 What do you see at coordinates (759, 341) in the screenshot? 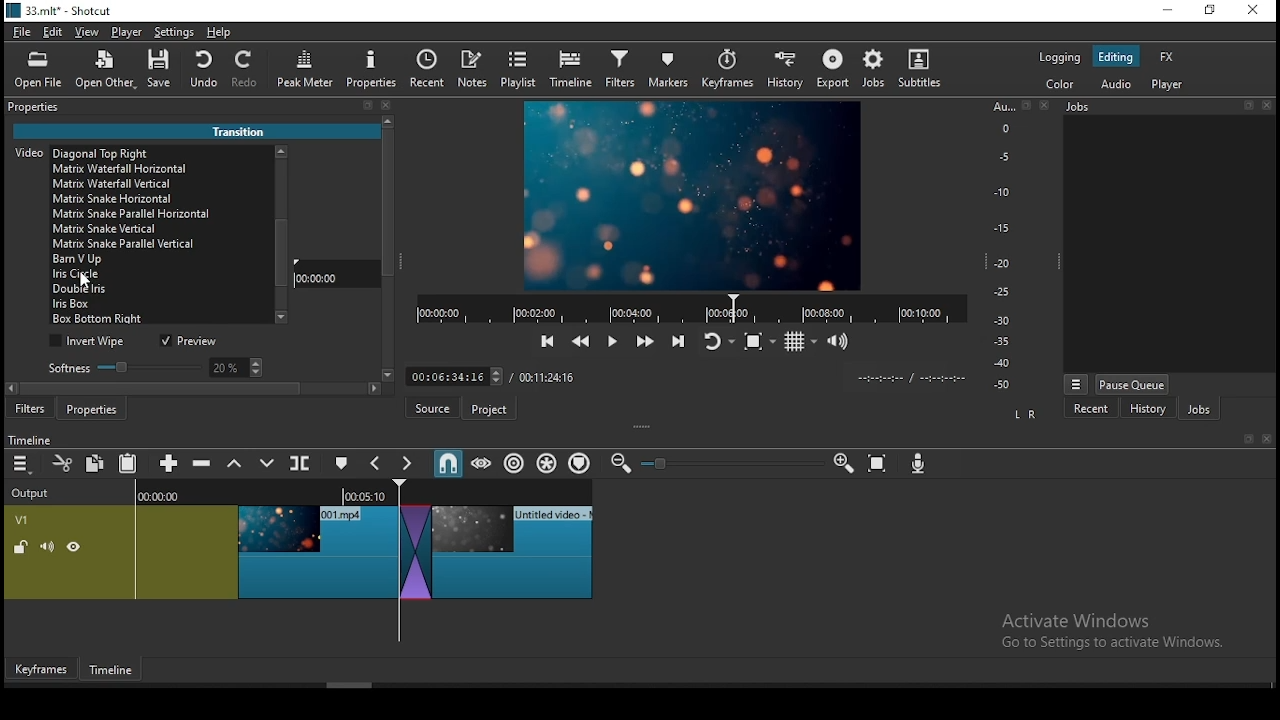
I see `toggle zoom` at bounding box center [759, 341].